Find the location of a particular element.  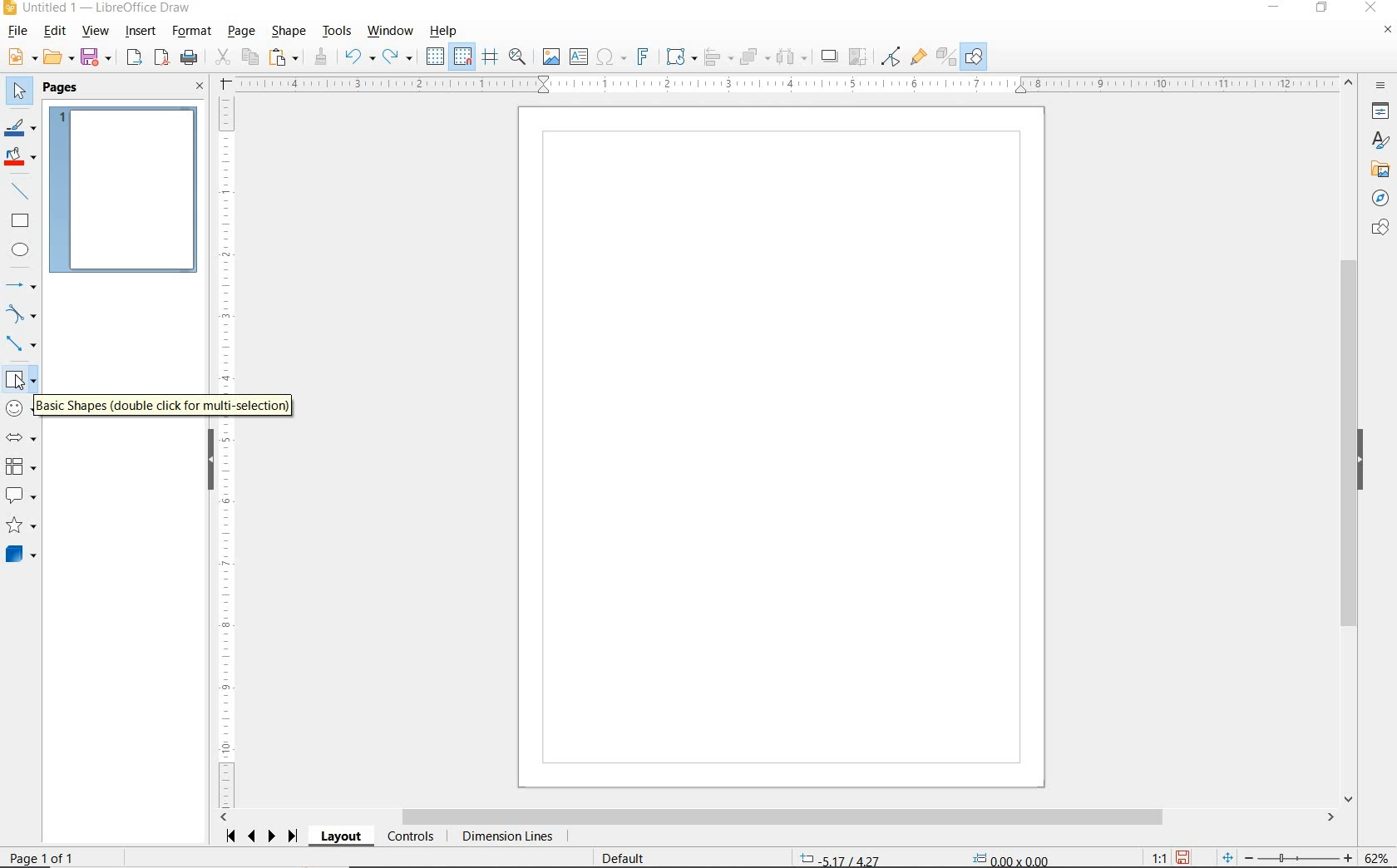

NAVIGATOR is located at coordinates (1380, 196).